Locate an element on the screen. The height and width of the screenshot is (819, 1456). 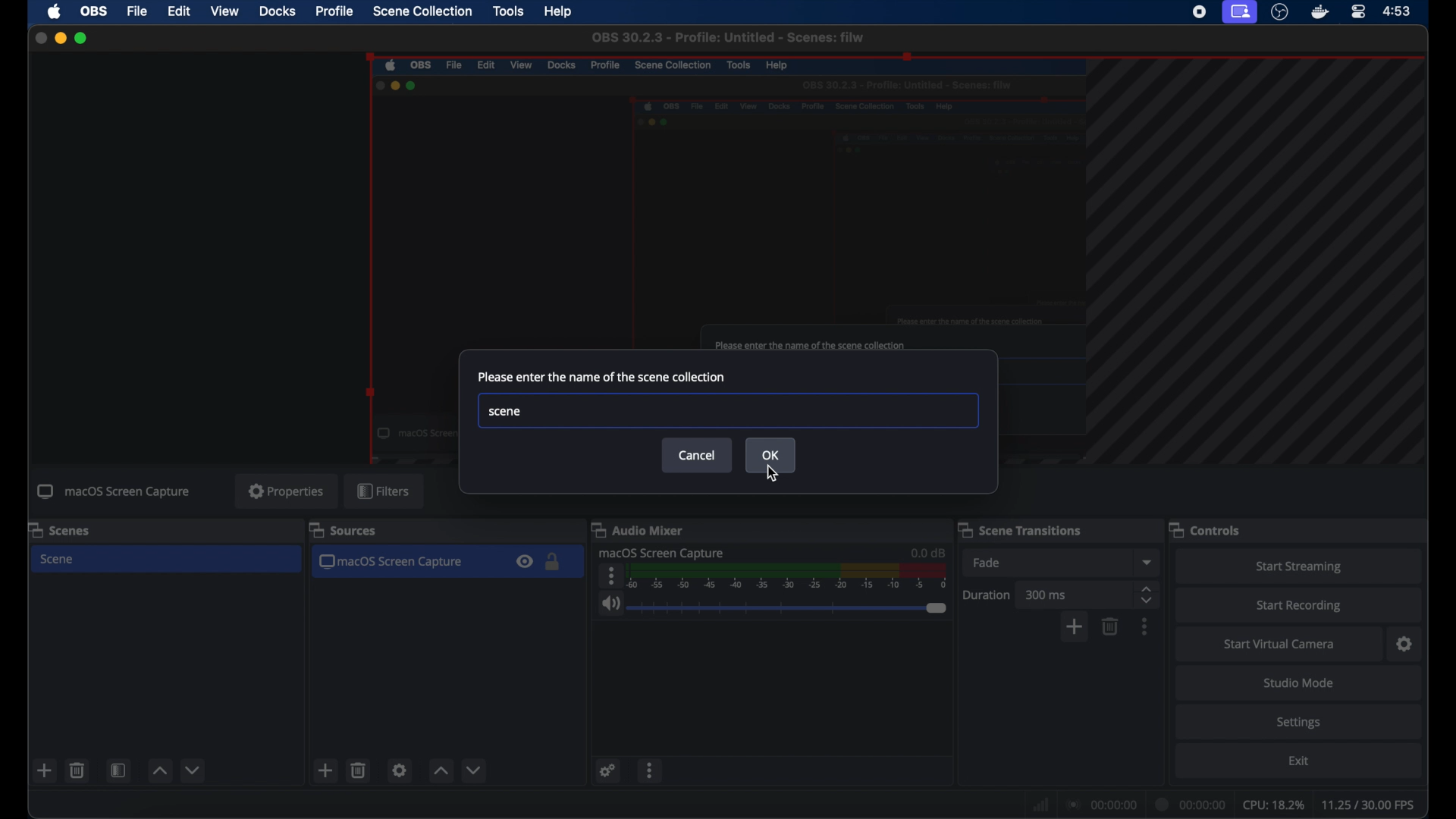
cursor is located at coordinates (773, 473).